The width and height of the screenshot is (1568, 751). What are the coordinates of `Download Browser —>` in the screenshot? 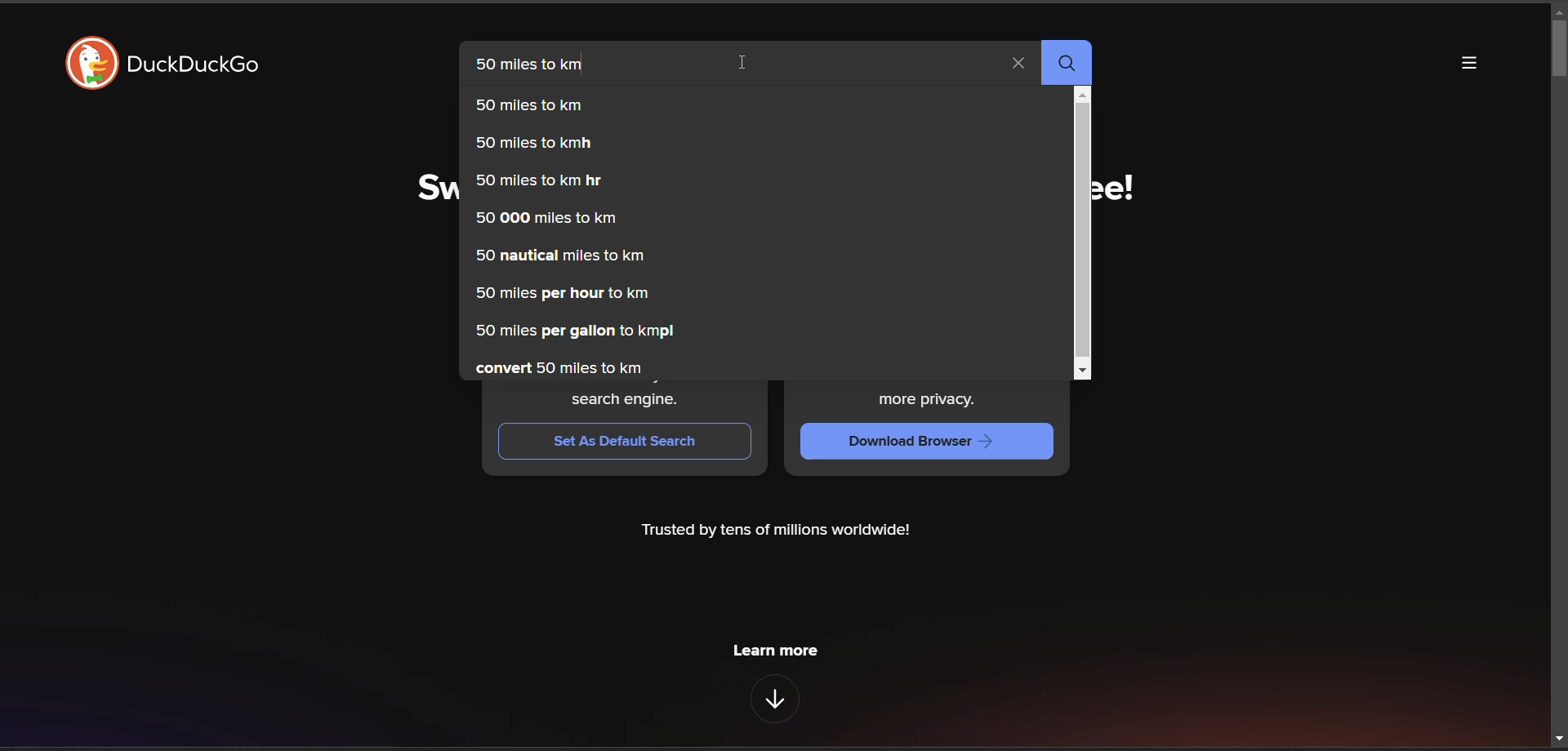 It's located at (930, 442).